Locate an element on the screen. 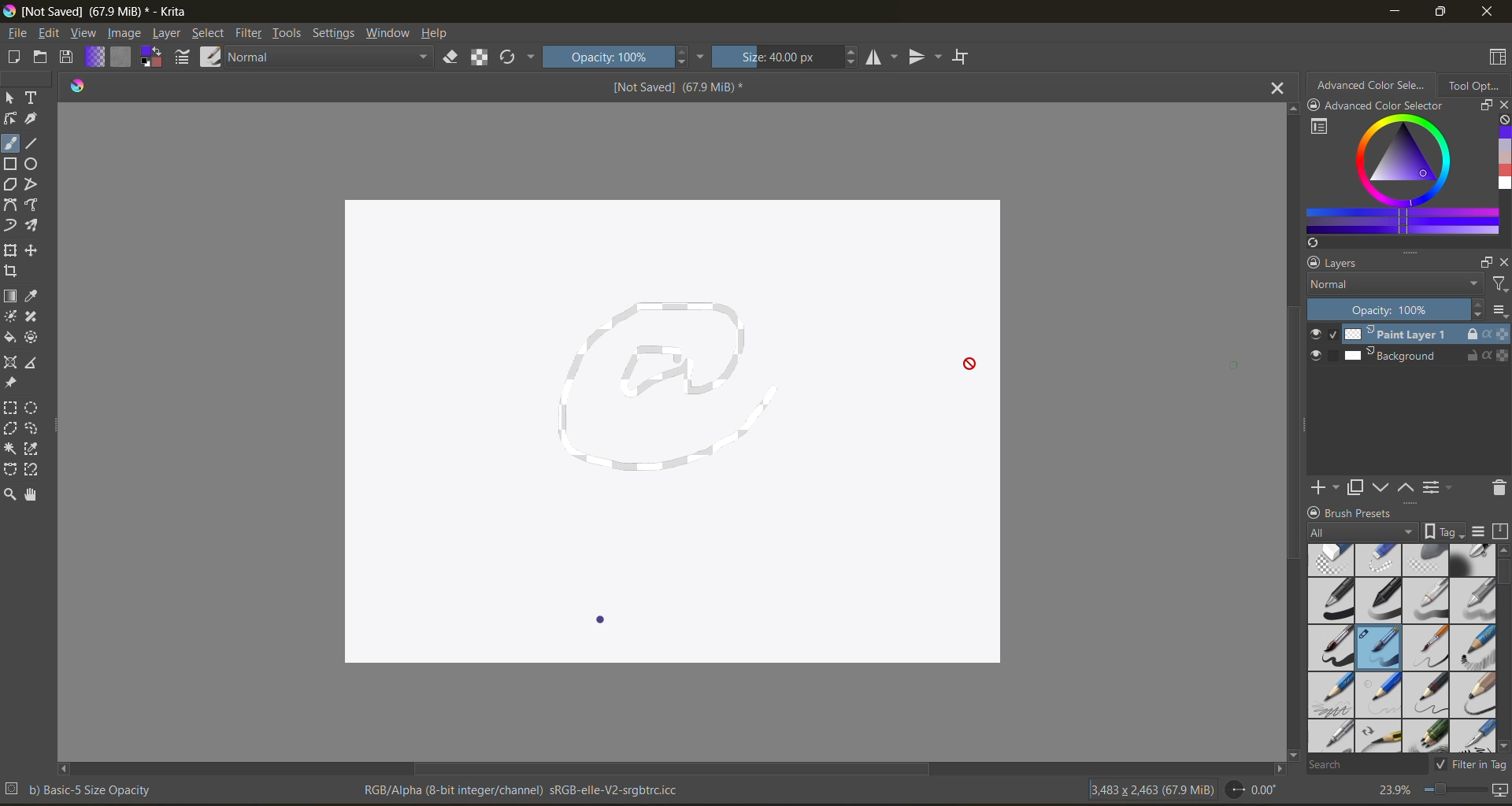  smart patch tool is located at coordinates (31, 317).